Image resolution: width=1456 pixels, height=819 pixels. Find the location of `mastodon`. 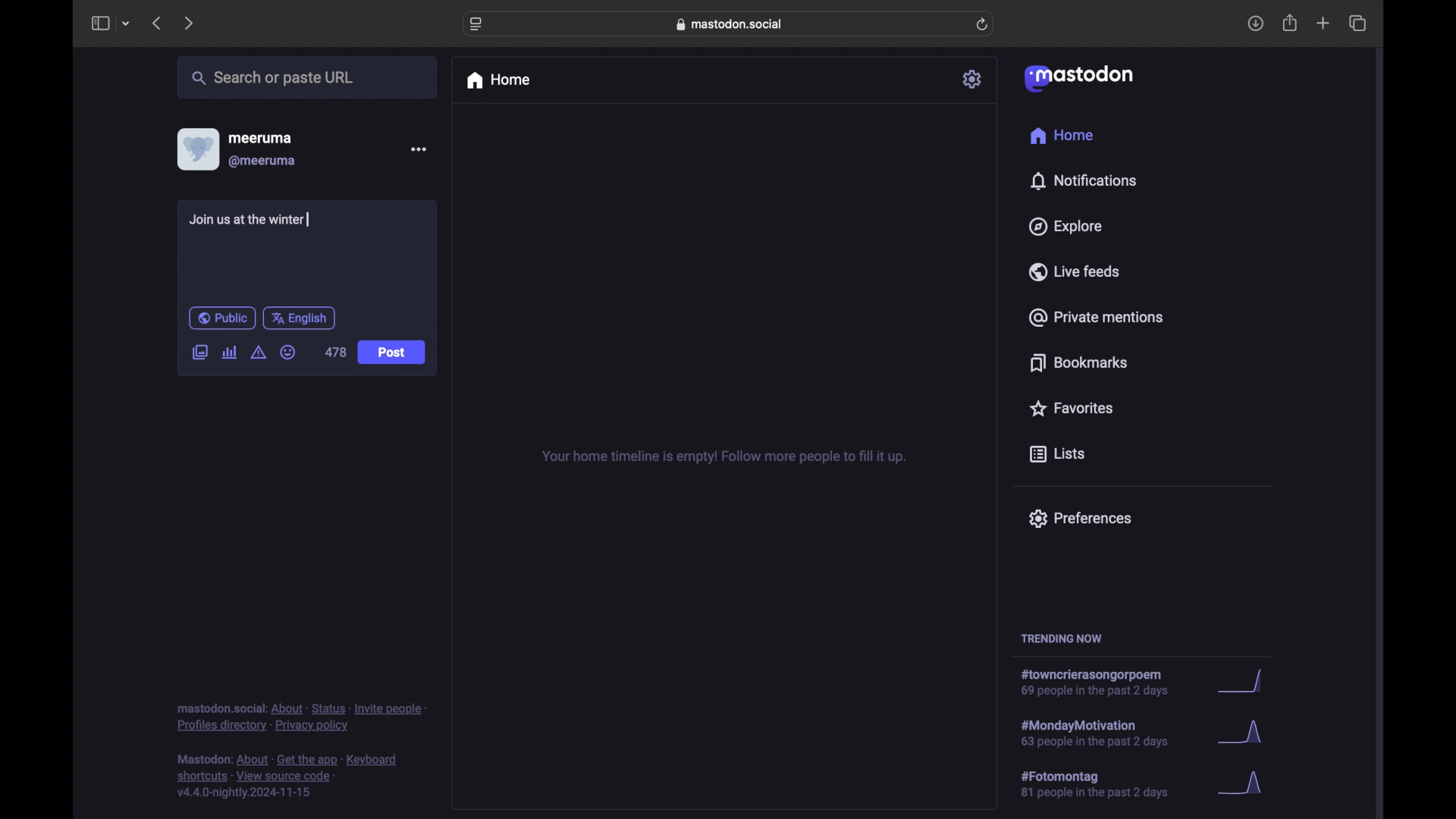

mastodon is located at coordinates (1077, 77).